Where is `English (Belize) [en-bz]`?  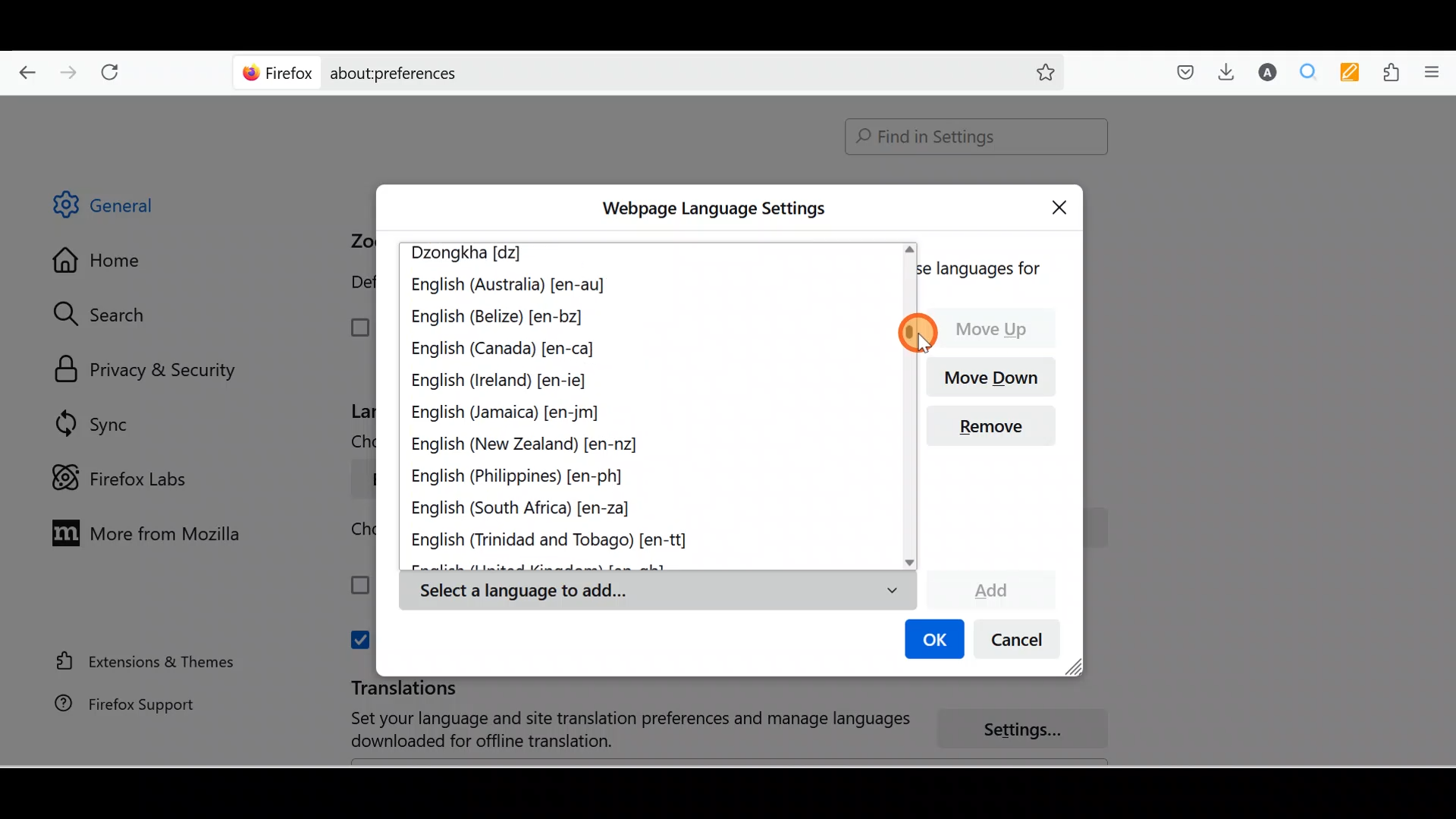
English (Belize) [en-bz] is located at coordinates (497, 318).